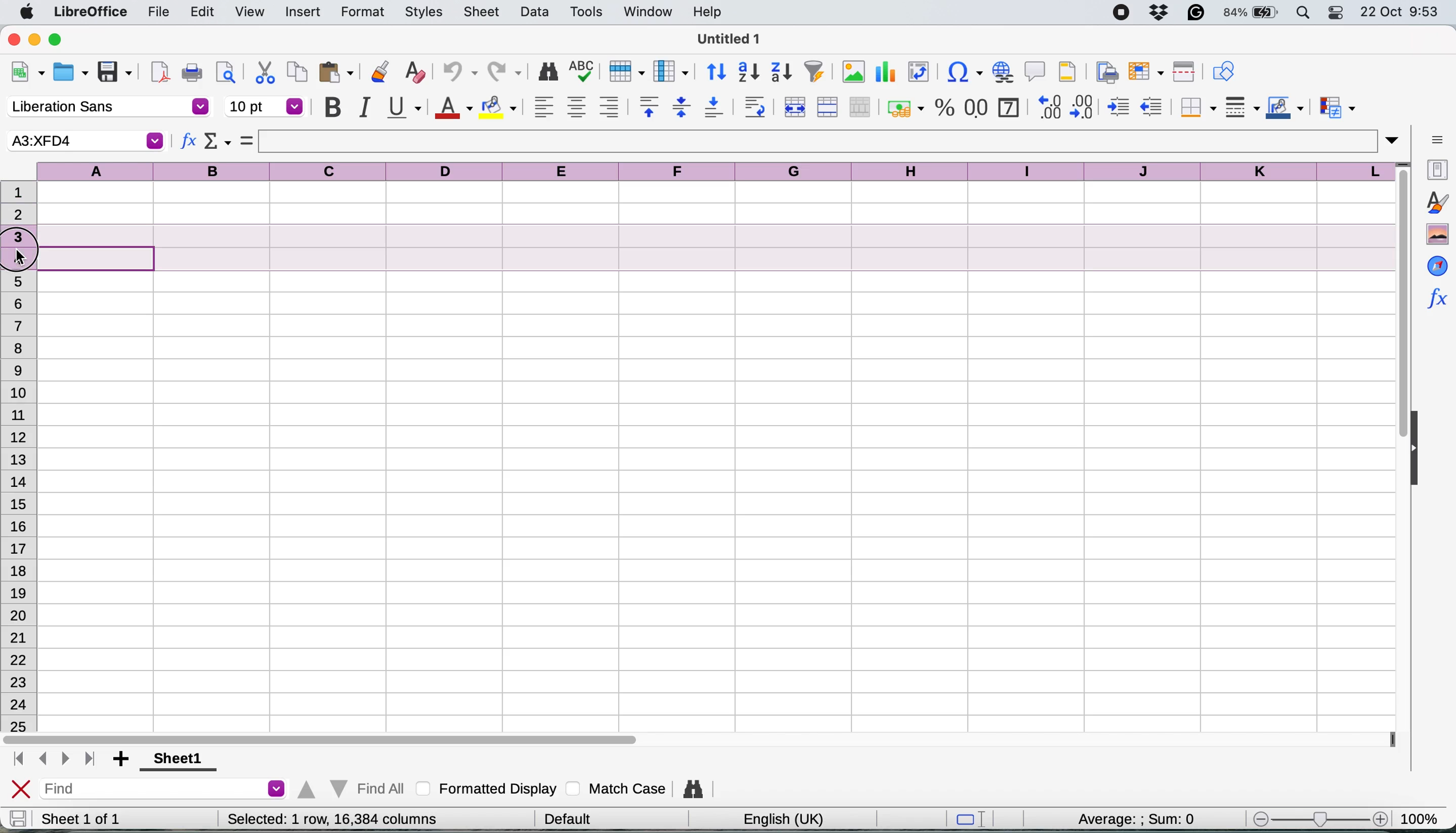 The image size is (1456, 833). I want to click on minimise, so click(36, 39).